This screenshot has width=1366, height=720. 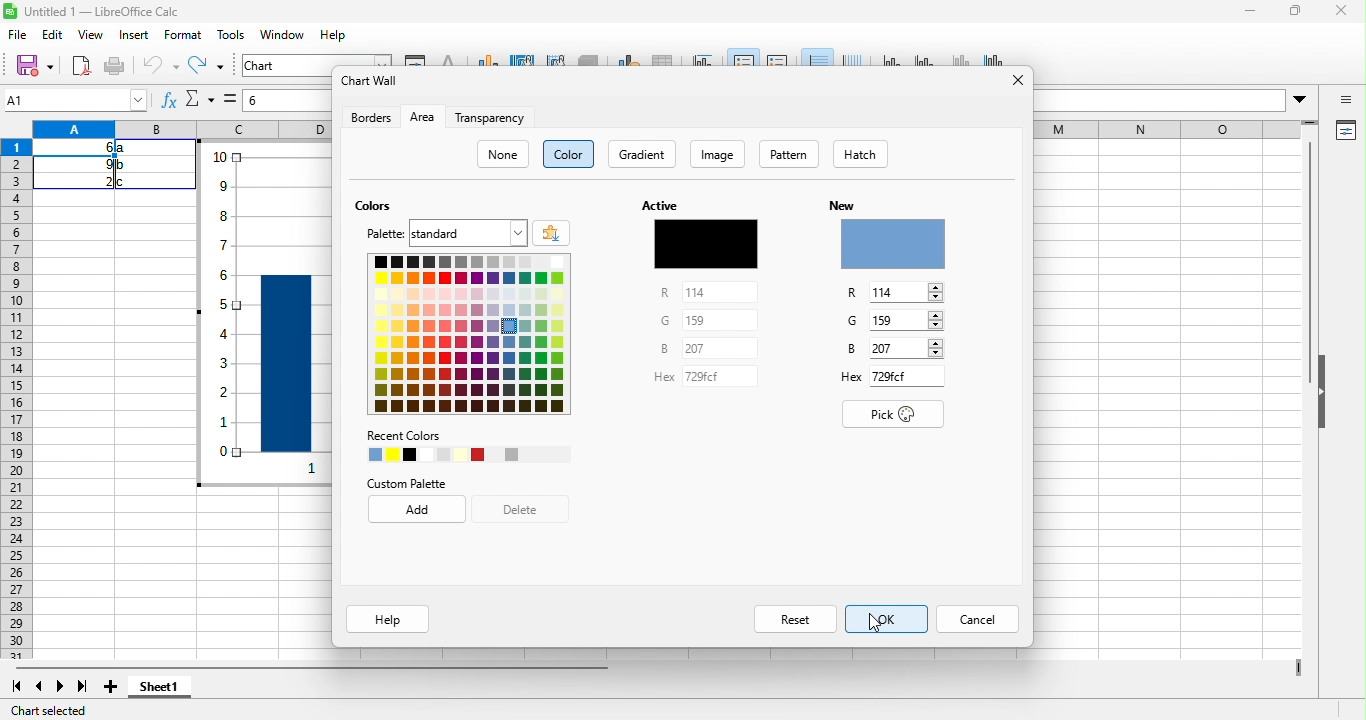 What do you see at coordinates (20, 400) in the screenshot?
I see `row headings` at bounding box center [20, 400].